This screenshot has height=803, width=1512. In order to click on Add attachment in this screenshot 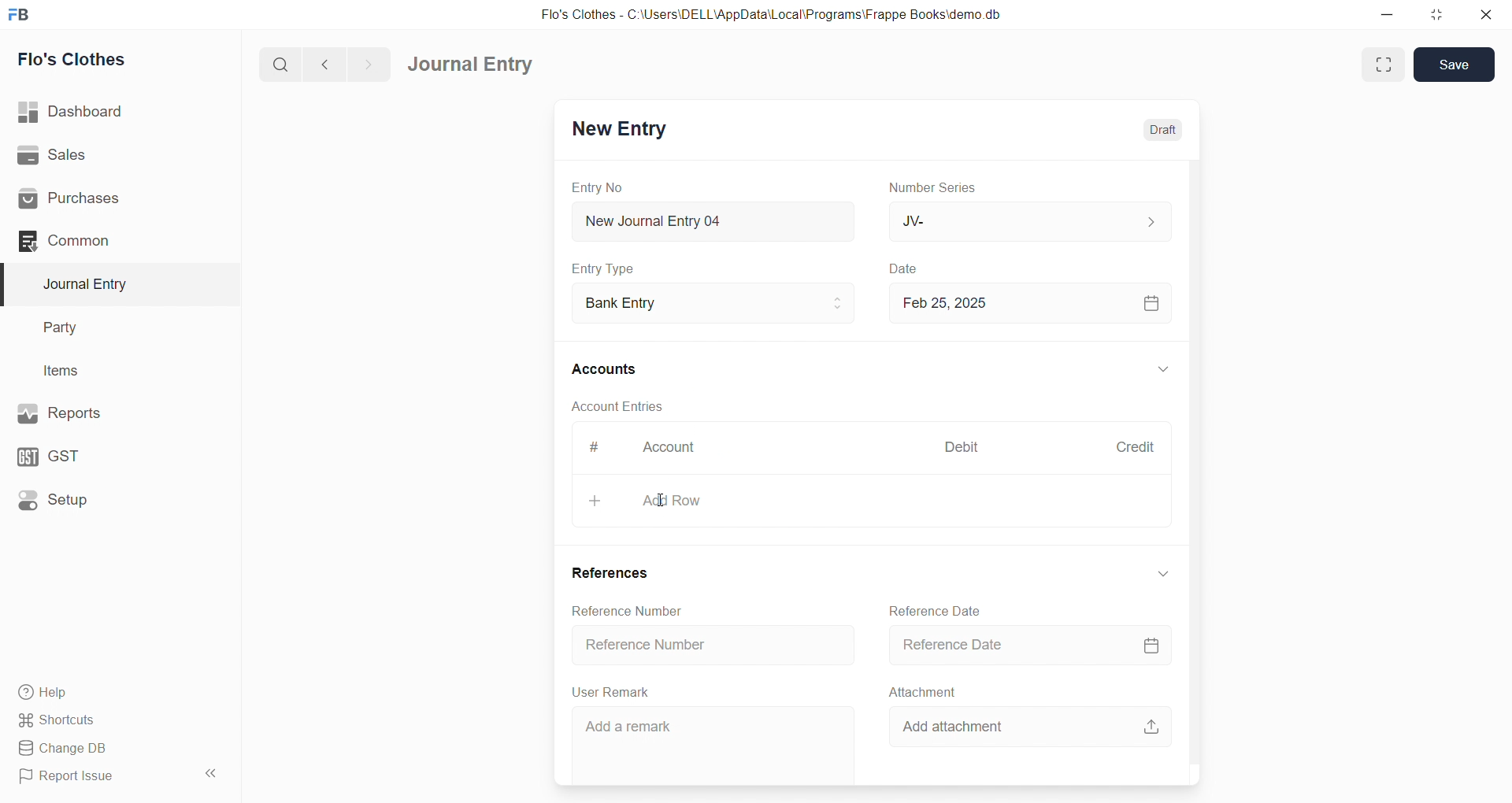, I will do `click(1036, 723)`.